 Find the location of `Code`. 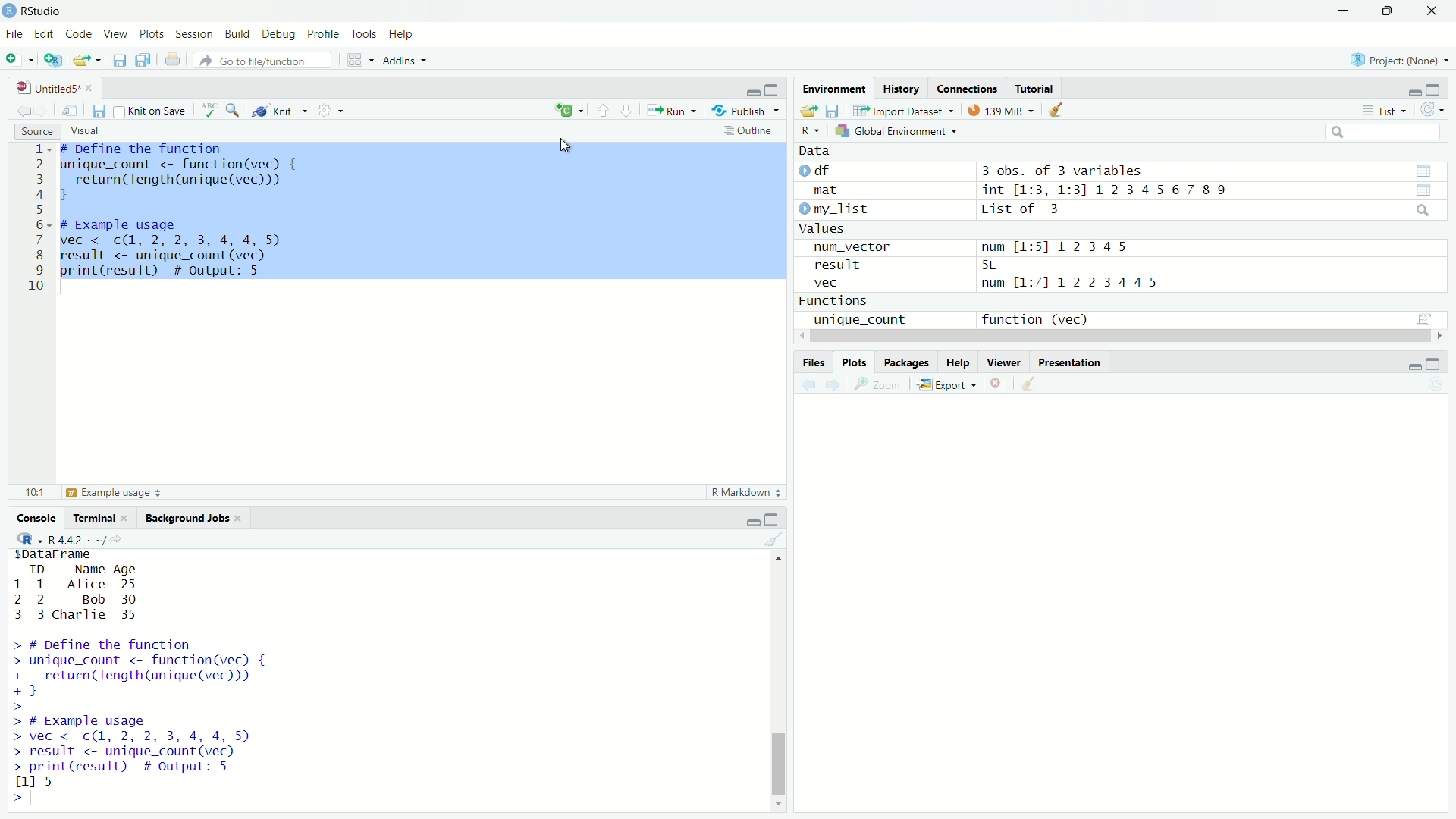

Code is located at coordinates (80, 35).